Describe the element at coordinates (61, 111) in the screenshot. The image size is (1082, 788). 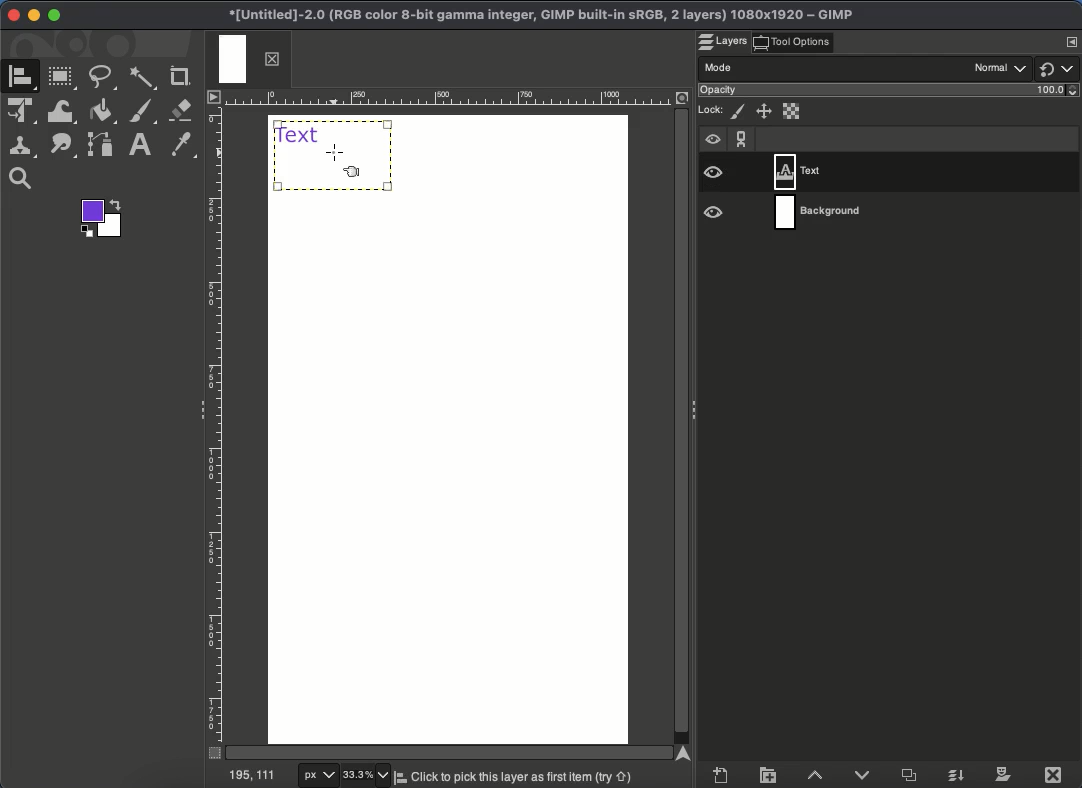
I see `Warp transformation` at that location.